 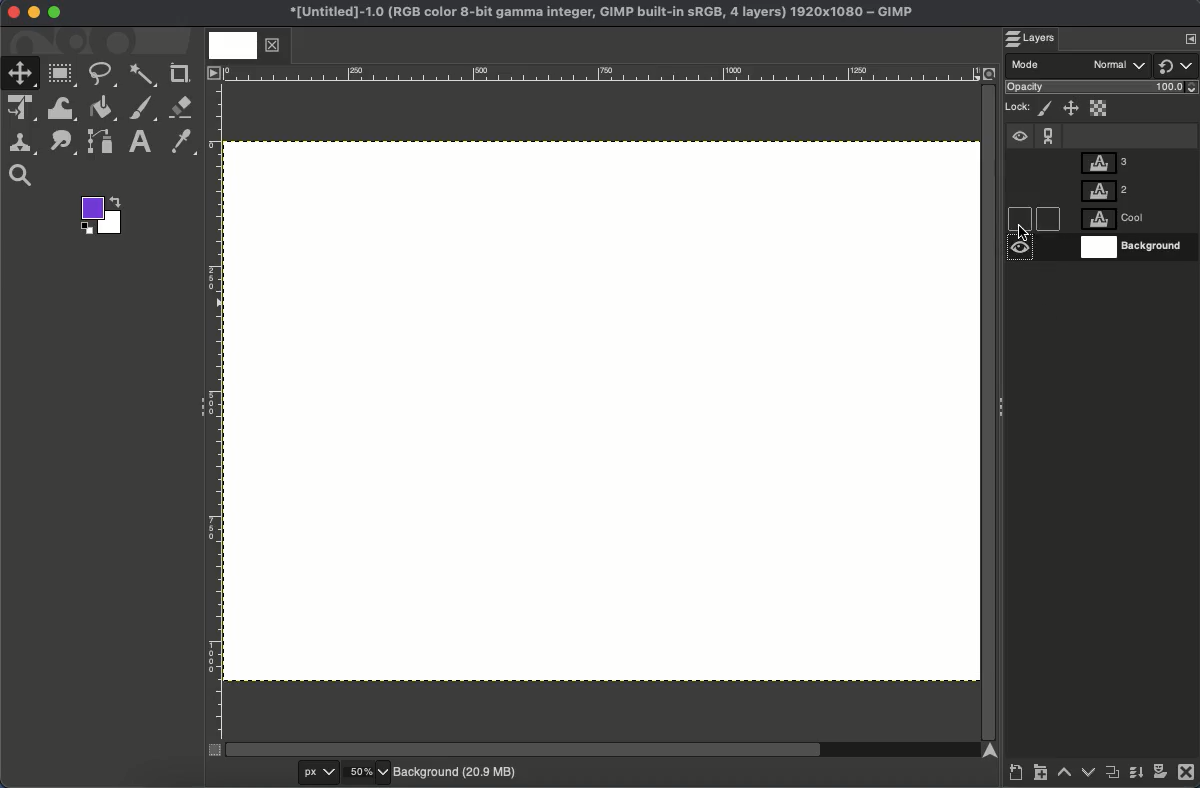 I want to click on Lock, so click(x=1019, y=105).